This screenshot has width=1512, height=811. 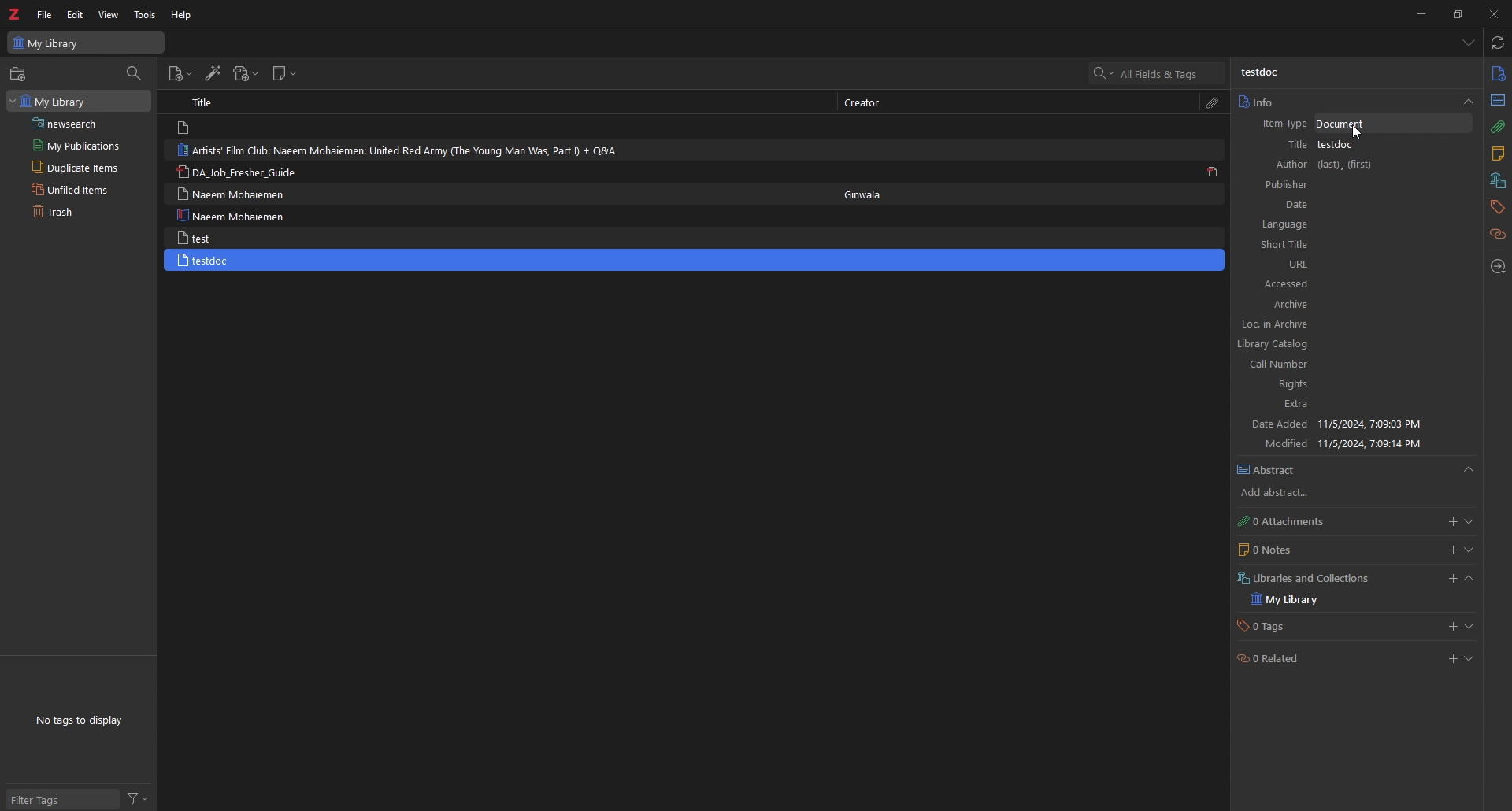 What do you see at coordinates (20, 74) in the screenshot?
I see `new collection` at bounding box center [20, 74].